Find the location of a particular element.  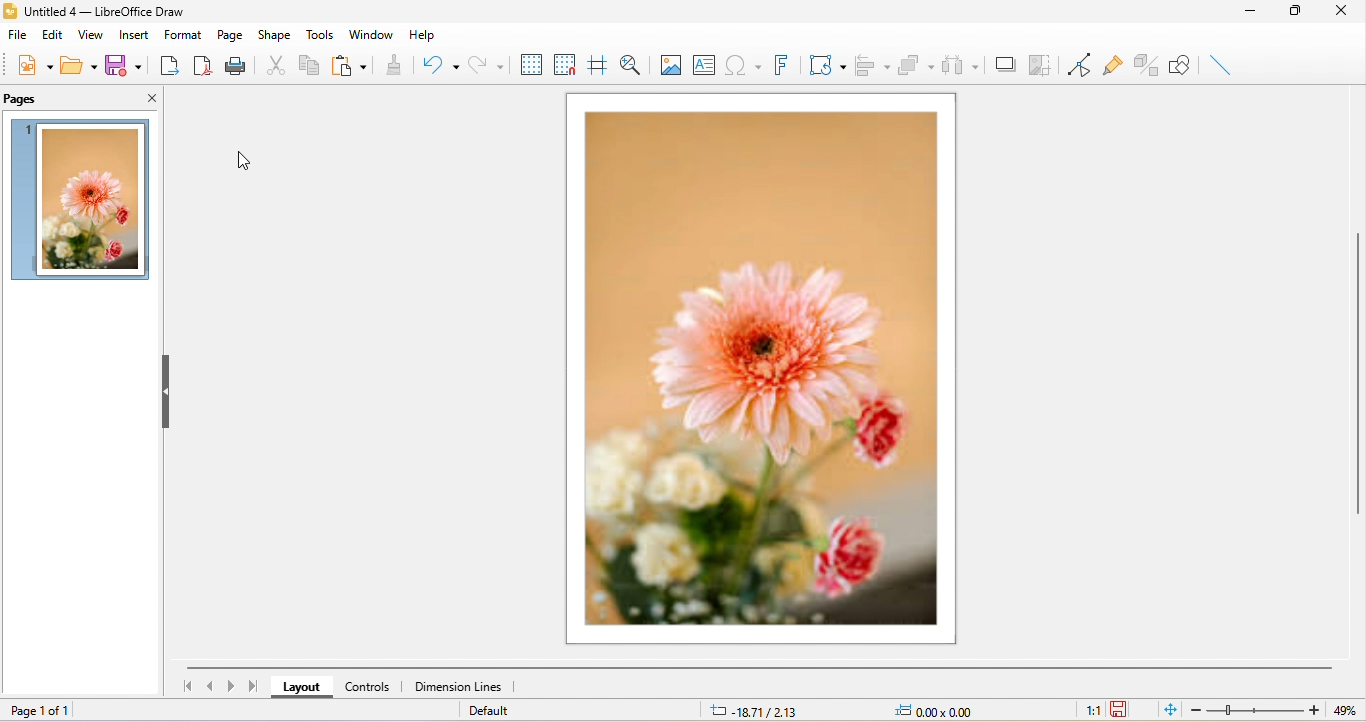

49% is located at coordinates (1342, 709).